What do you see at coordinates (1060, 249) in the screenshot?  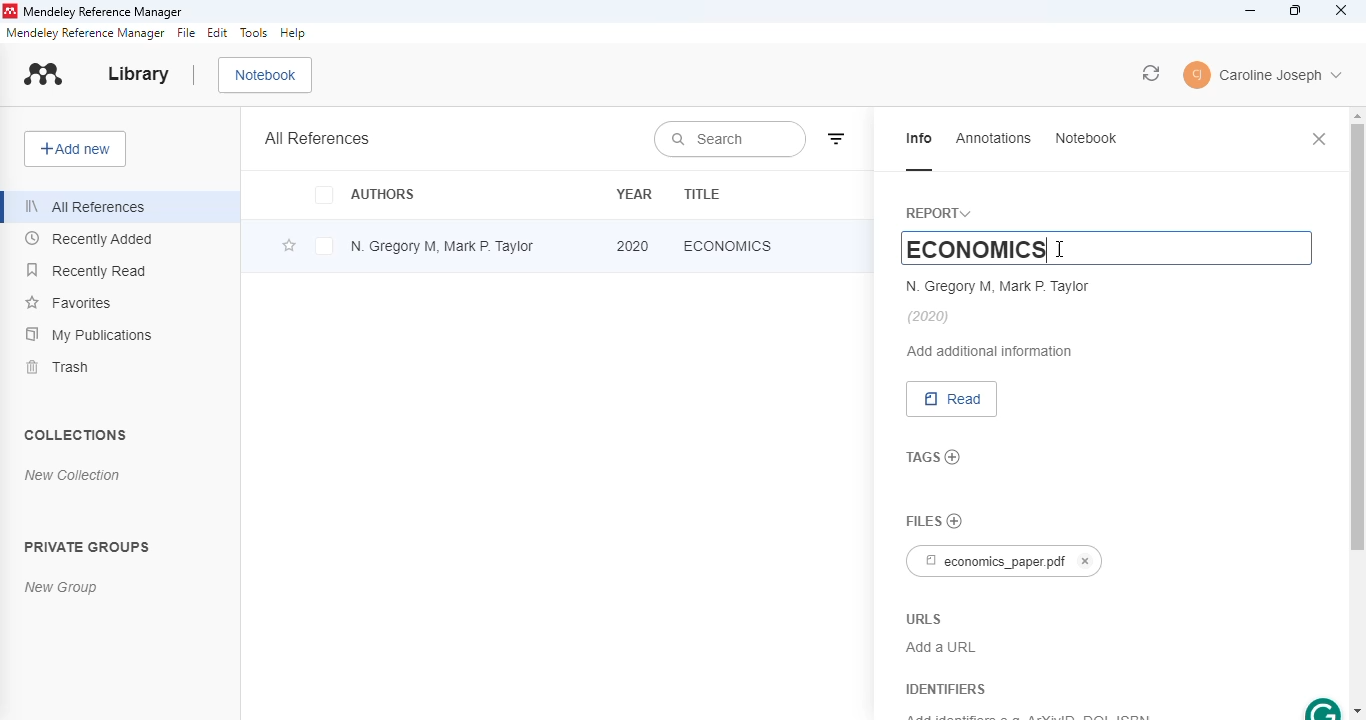 I see `cursor` at bounding box center [1060, 249].